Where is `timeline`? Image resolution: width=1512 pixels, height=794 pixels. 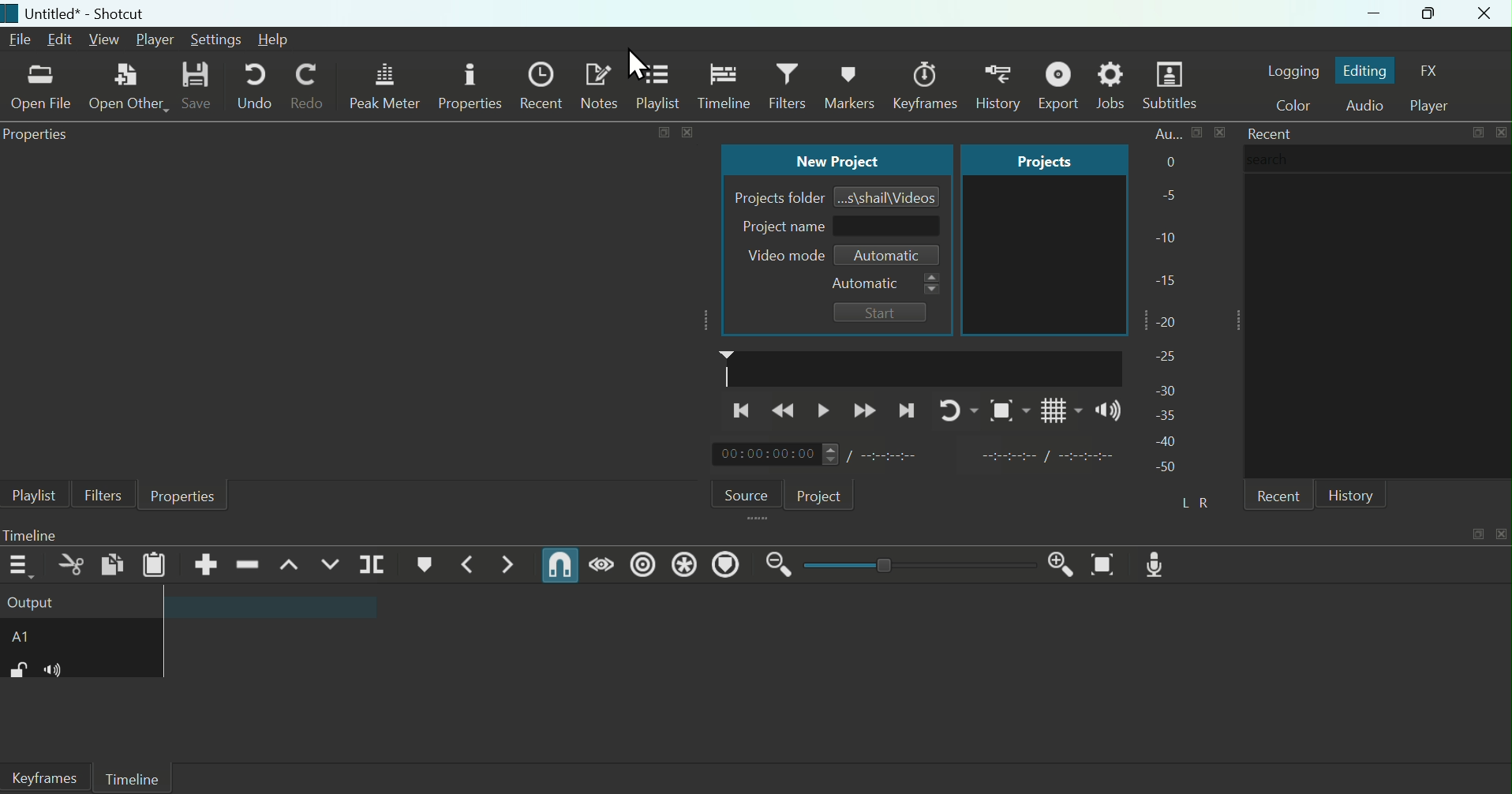 timeline is located at coordinates (922, 367).